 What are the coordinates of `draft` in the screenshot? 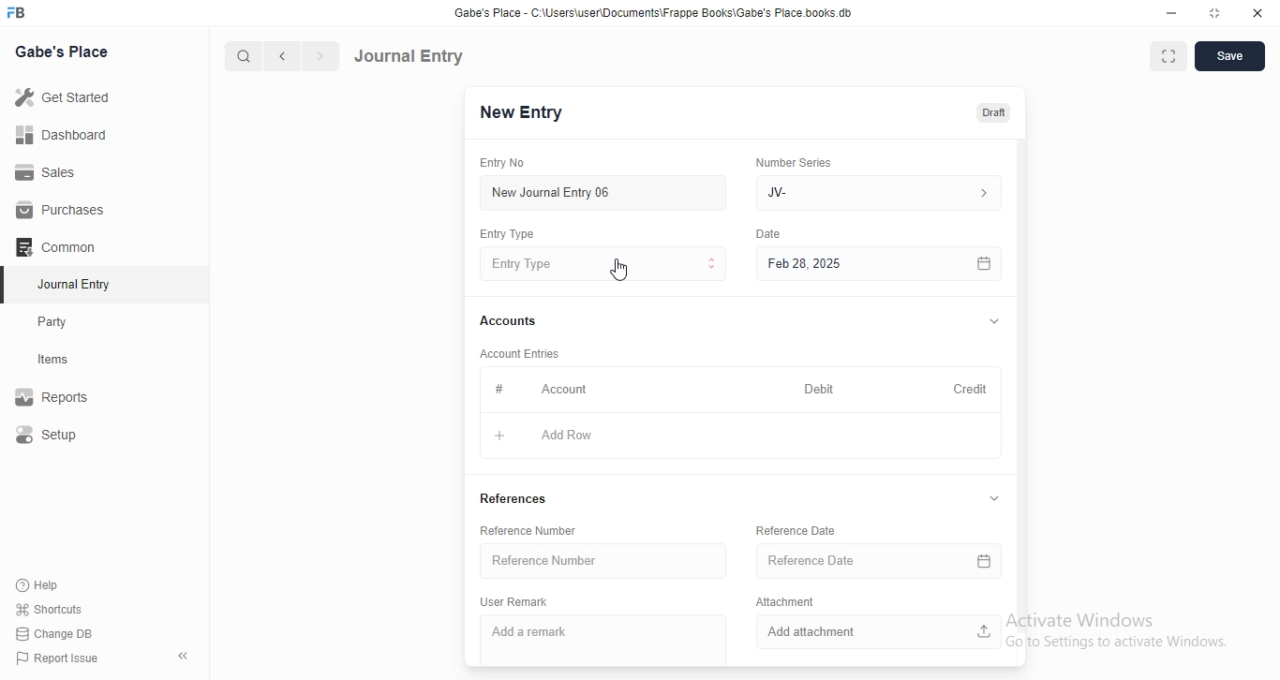 It's located at (993, 114).